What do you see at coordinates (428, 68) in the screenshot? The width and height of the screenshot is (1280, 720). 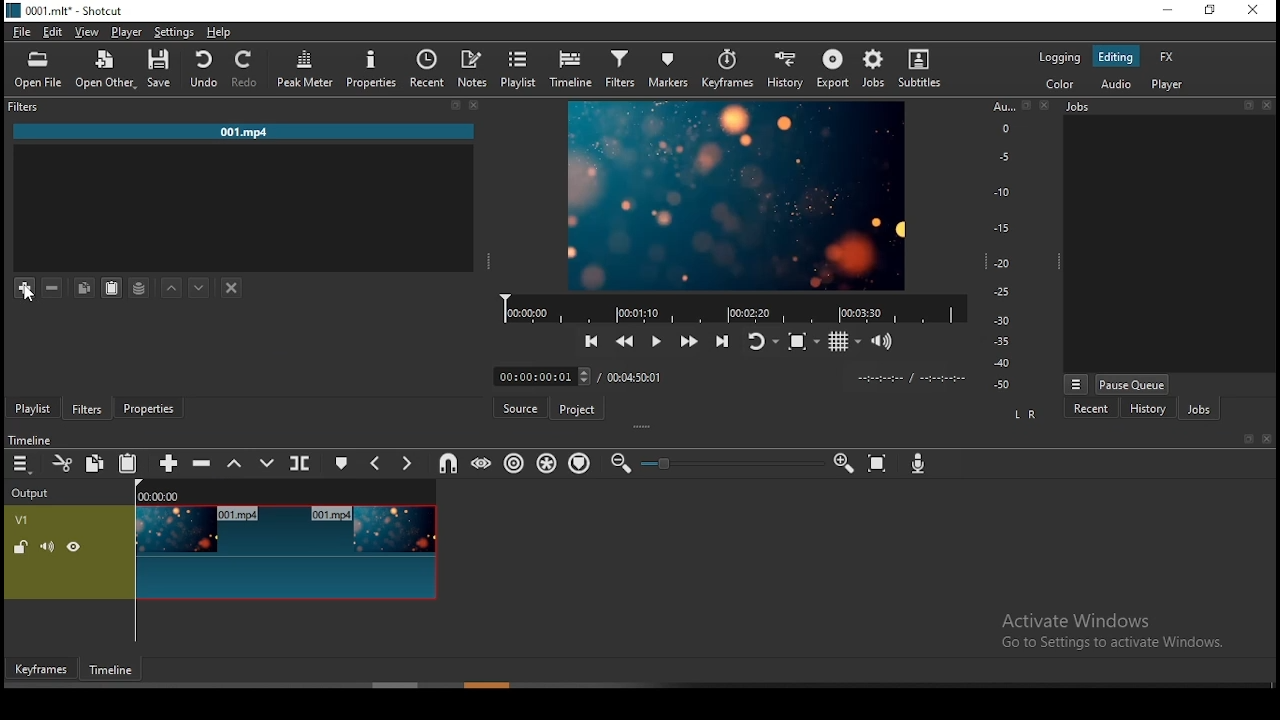 I see `recent` at bounding box center [428, 68].